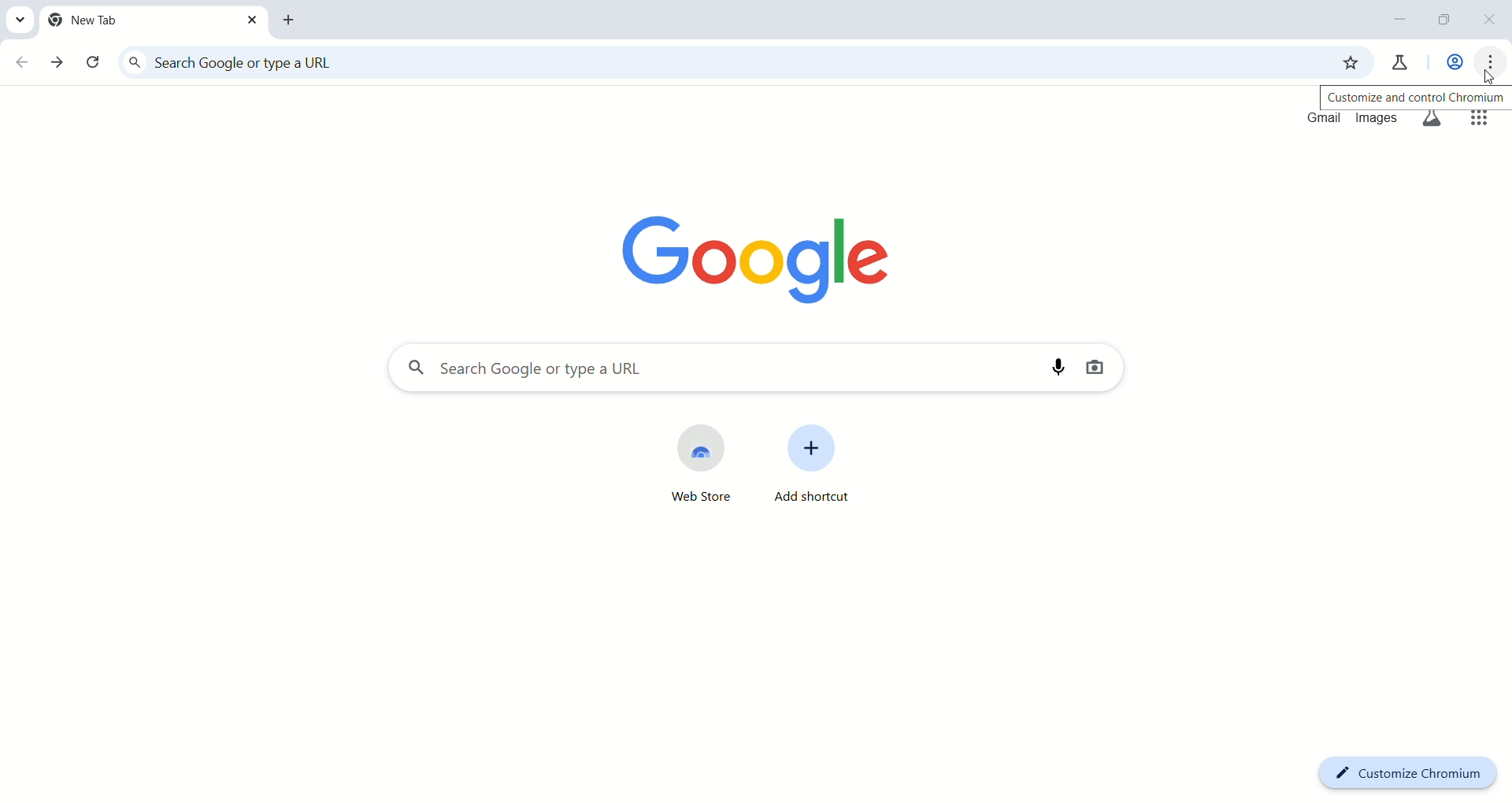 The height and width of the screenshot is (803, 1512). What do you see at coordinates (1494, 65) in the screenshot?
I see `customize and control brave` at bounding box center [1494, 65].